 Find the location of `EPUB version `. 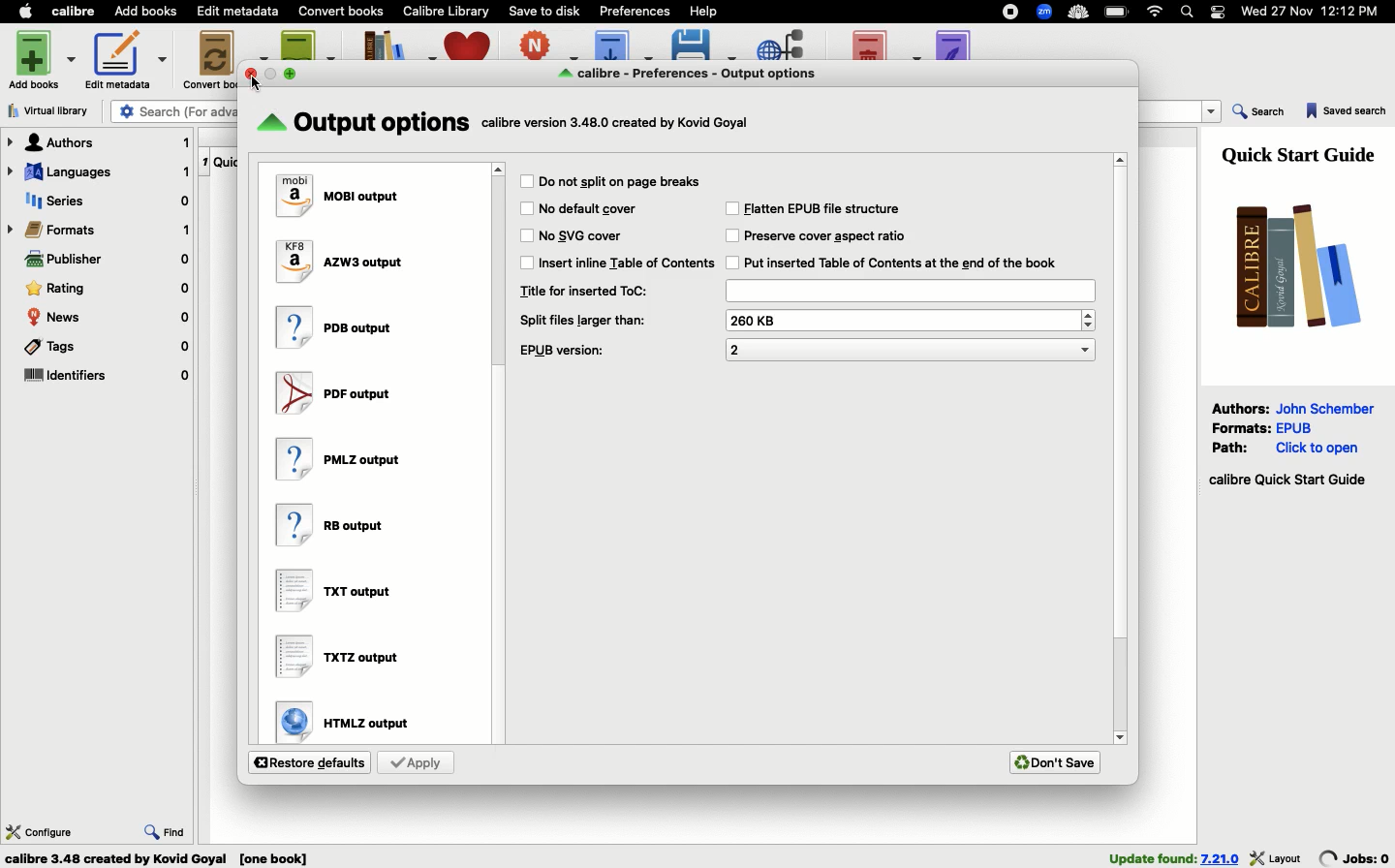

EPUB version  is located at coordinates (912, 349).